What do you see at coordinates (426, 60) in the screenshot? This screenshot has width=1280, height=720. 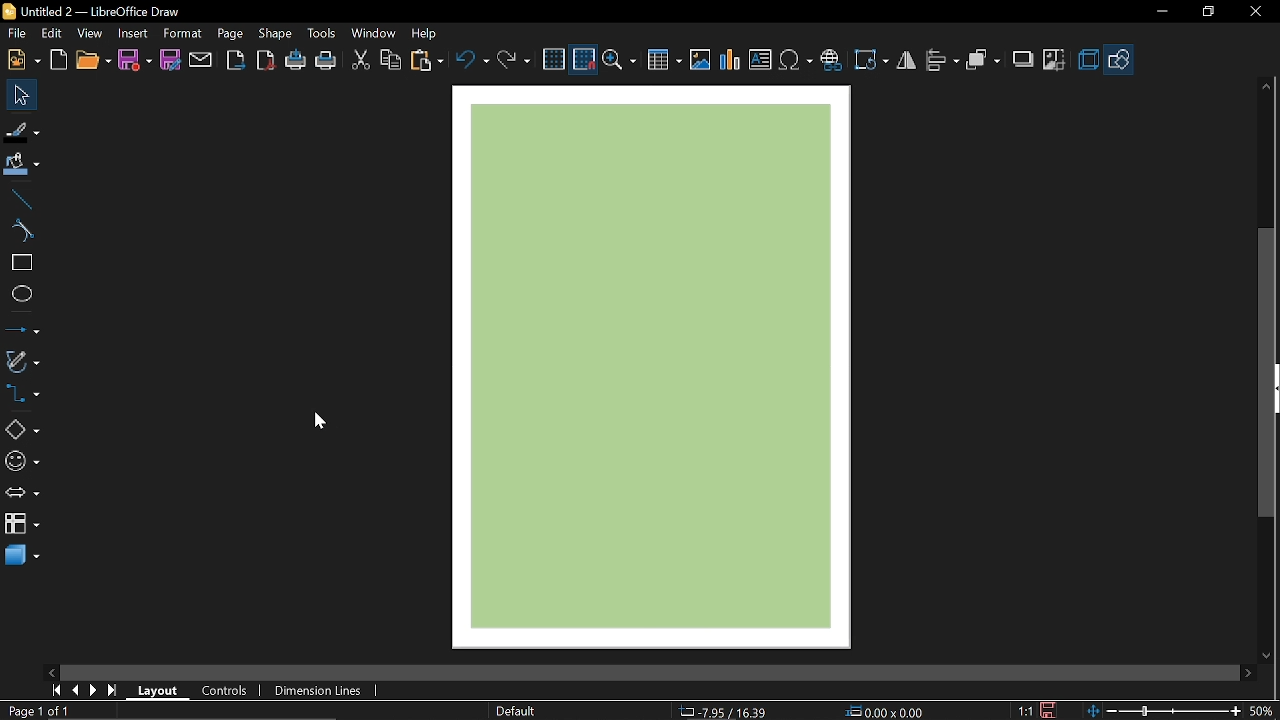 I see `Paste` at bounding box center [426, 60].